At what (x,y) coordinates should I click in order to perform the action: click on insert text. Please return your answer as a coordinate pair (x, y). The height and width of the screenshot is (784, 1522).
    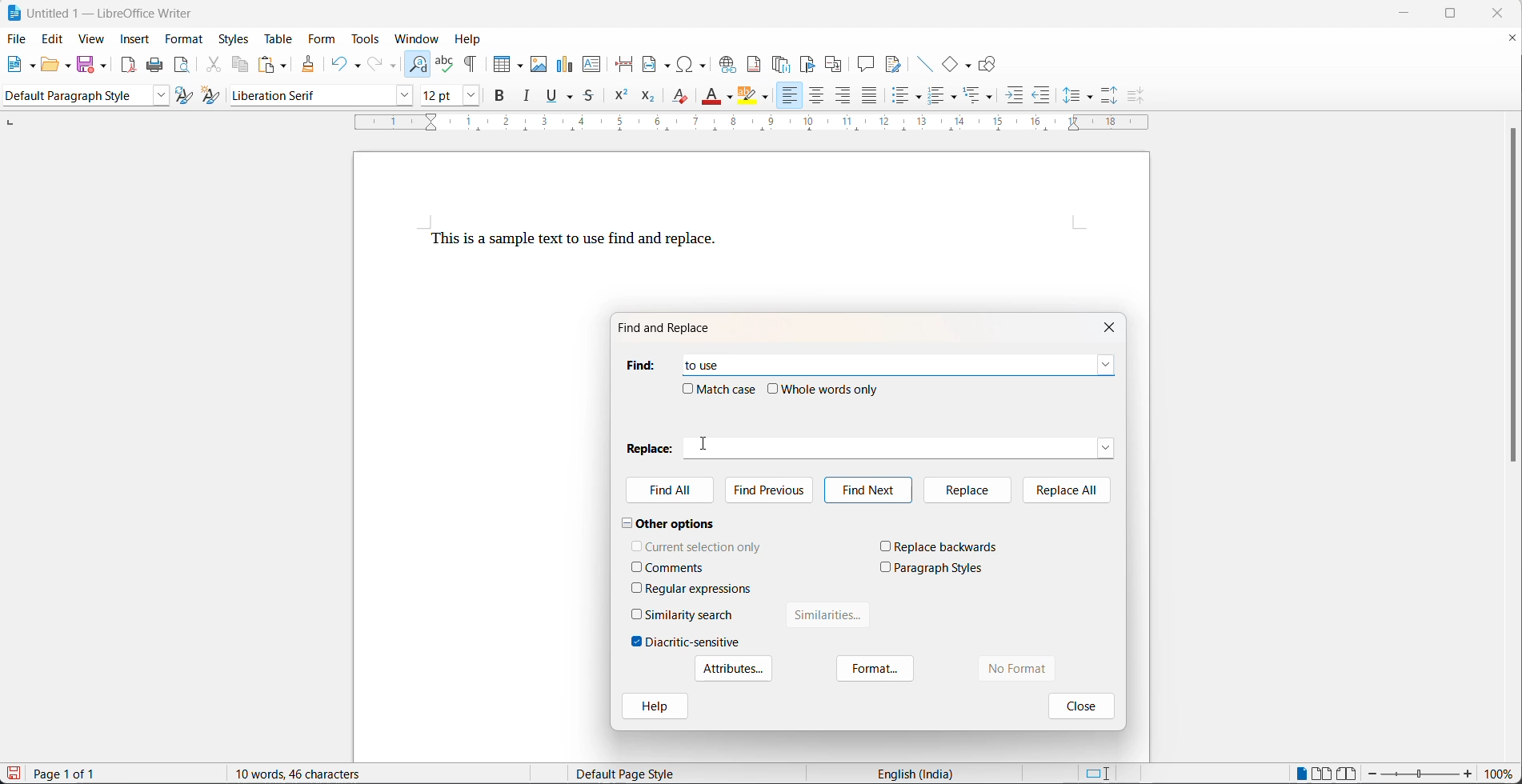
    Looking at the image, I should click on (593, 66).